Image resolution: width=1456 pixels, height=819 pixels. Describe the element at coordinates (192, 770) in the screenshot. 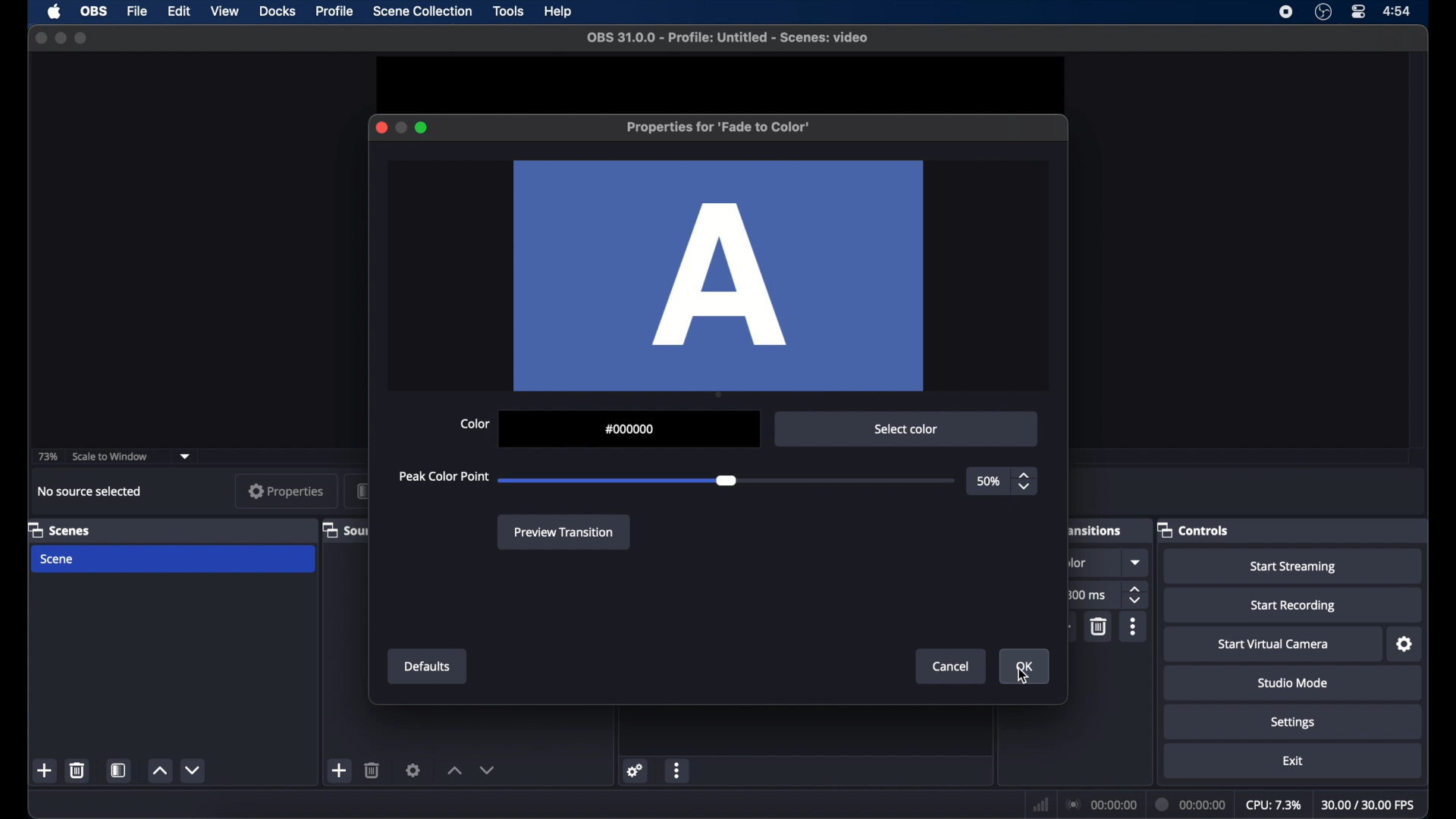

I see `decrement` at that location.